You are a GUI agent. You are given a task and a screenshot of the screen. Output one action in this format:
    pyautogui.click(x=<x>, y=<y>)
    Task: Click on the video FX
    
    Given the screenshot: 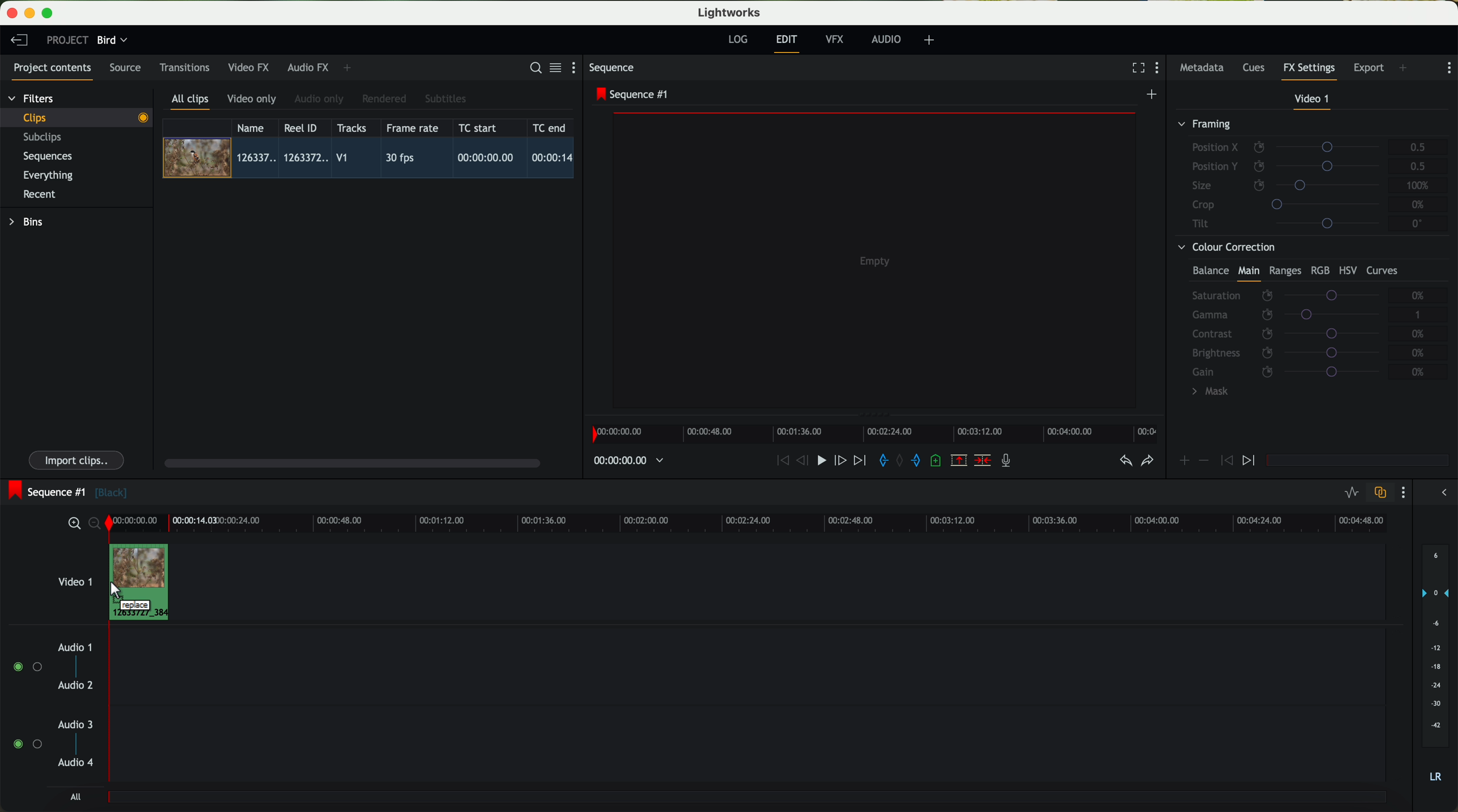 What is the action you would take?
    pyautogui.click(x=251, y=67)
    